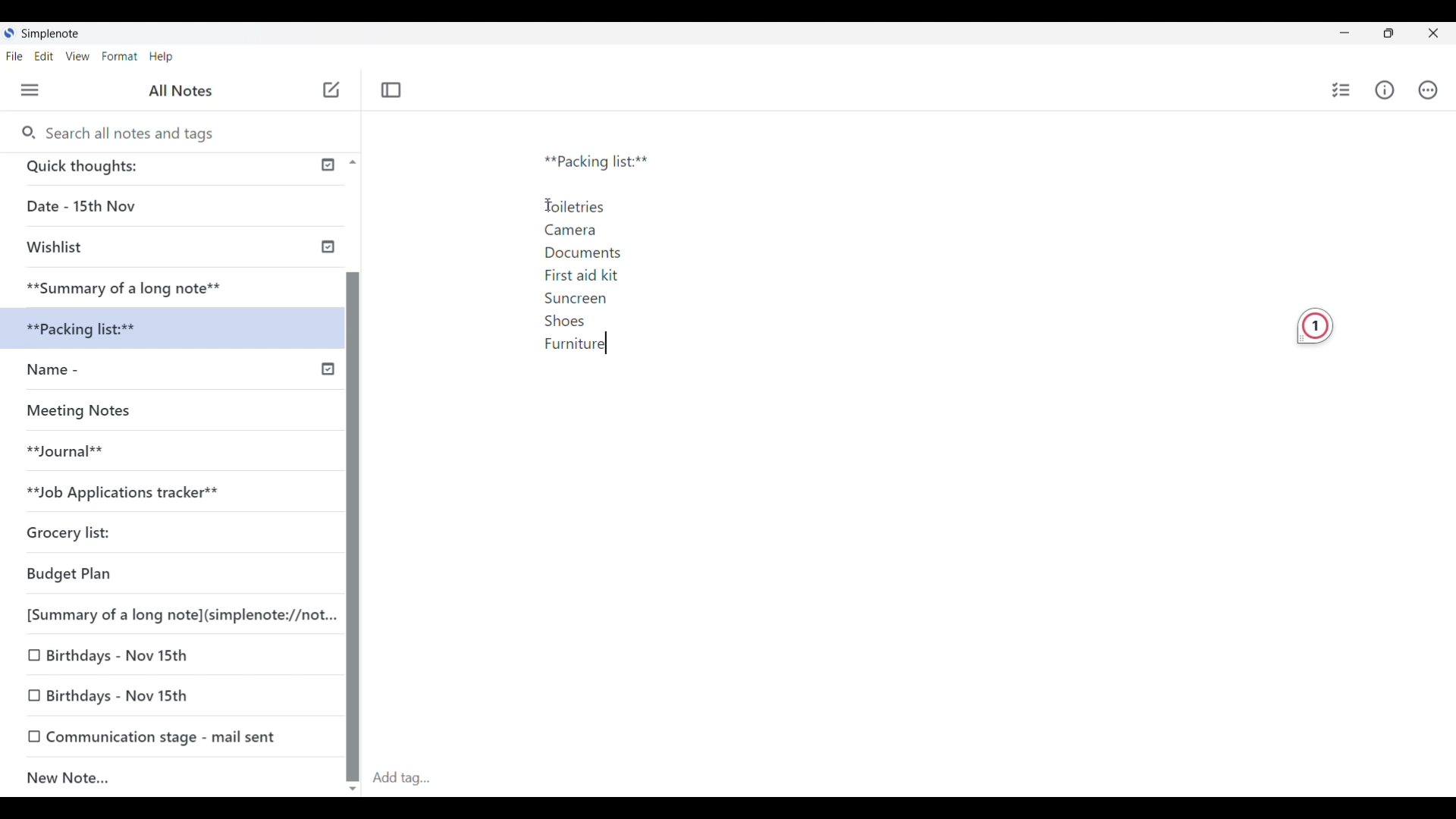 Image resolution: width=1456 pixels, height=819 pixels. I want to click on O Birthdays - Nov 15th, so click(115, 654).